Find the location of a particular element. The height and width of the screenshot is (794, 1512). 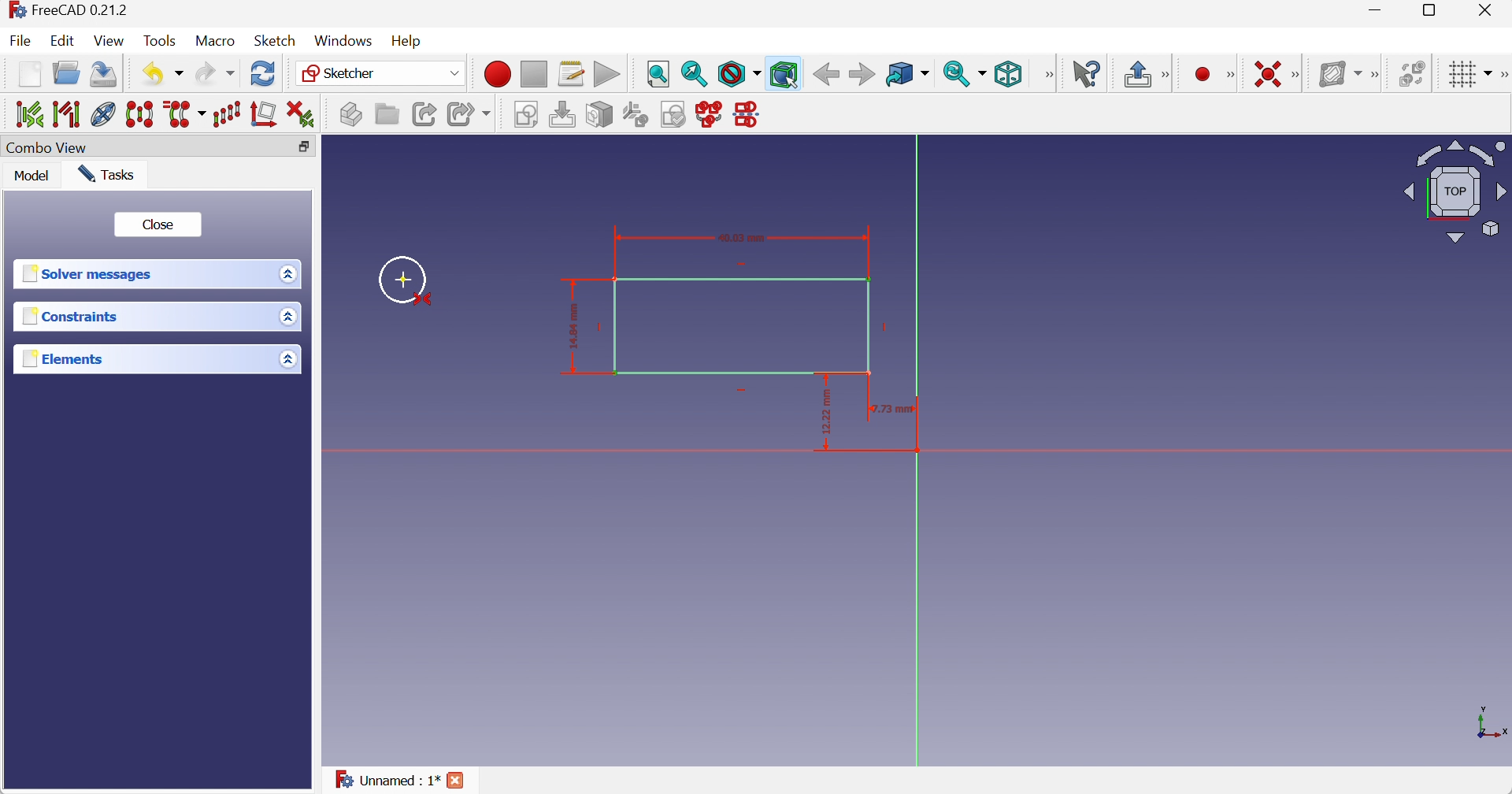

Isometric is located at coordinates (1009, 75).